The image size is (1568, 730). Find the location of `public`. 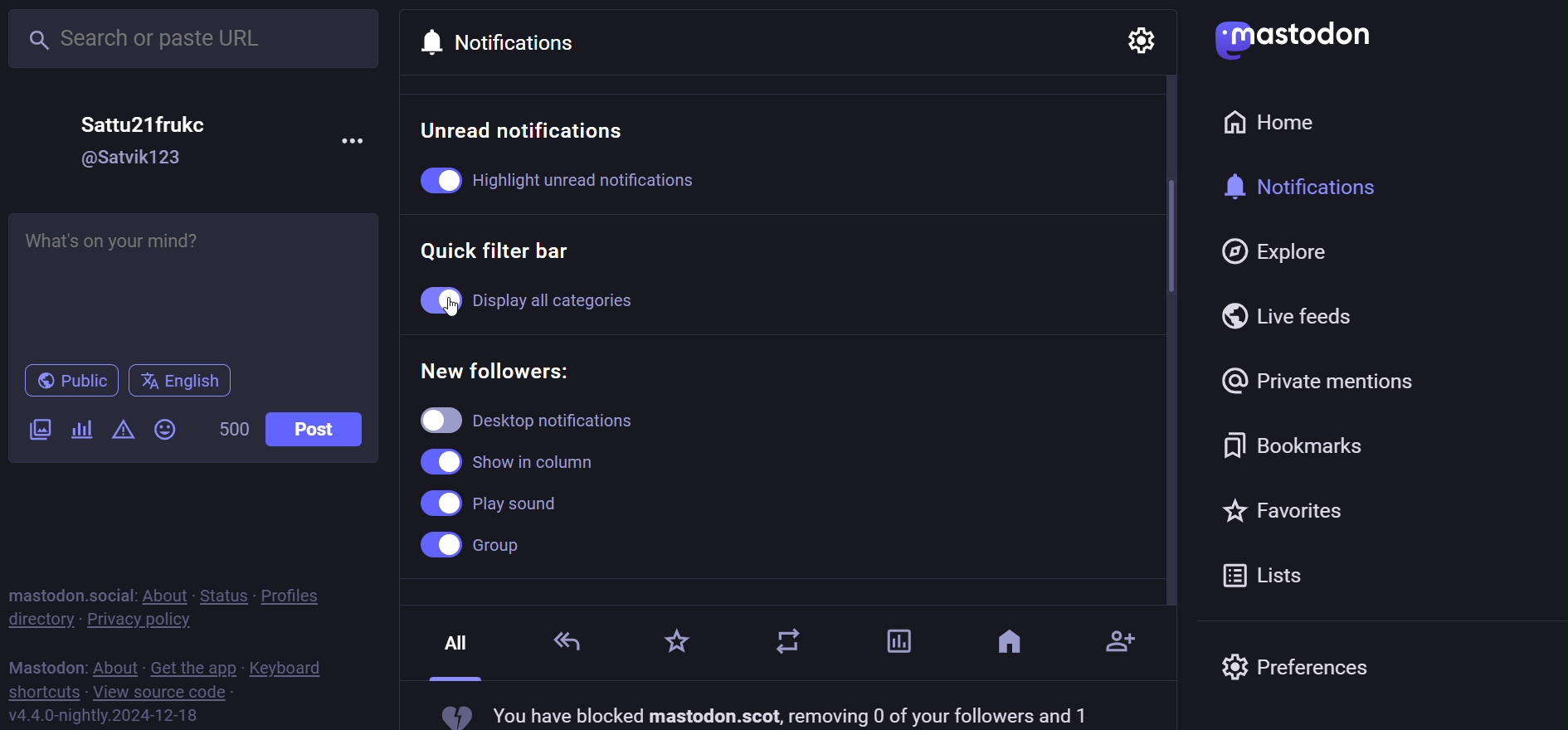

public is located at coordinates (67, 381).